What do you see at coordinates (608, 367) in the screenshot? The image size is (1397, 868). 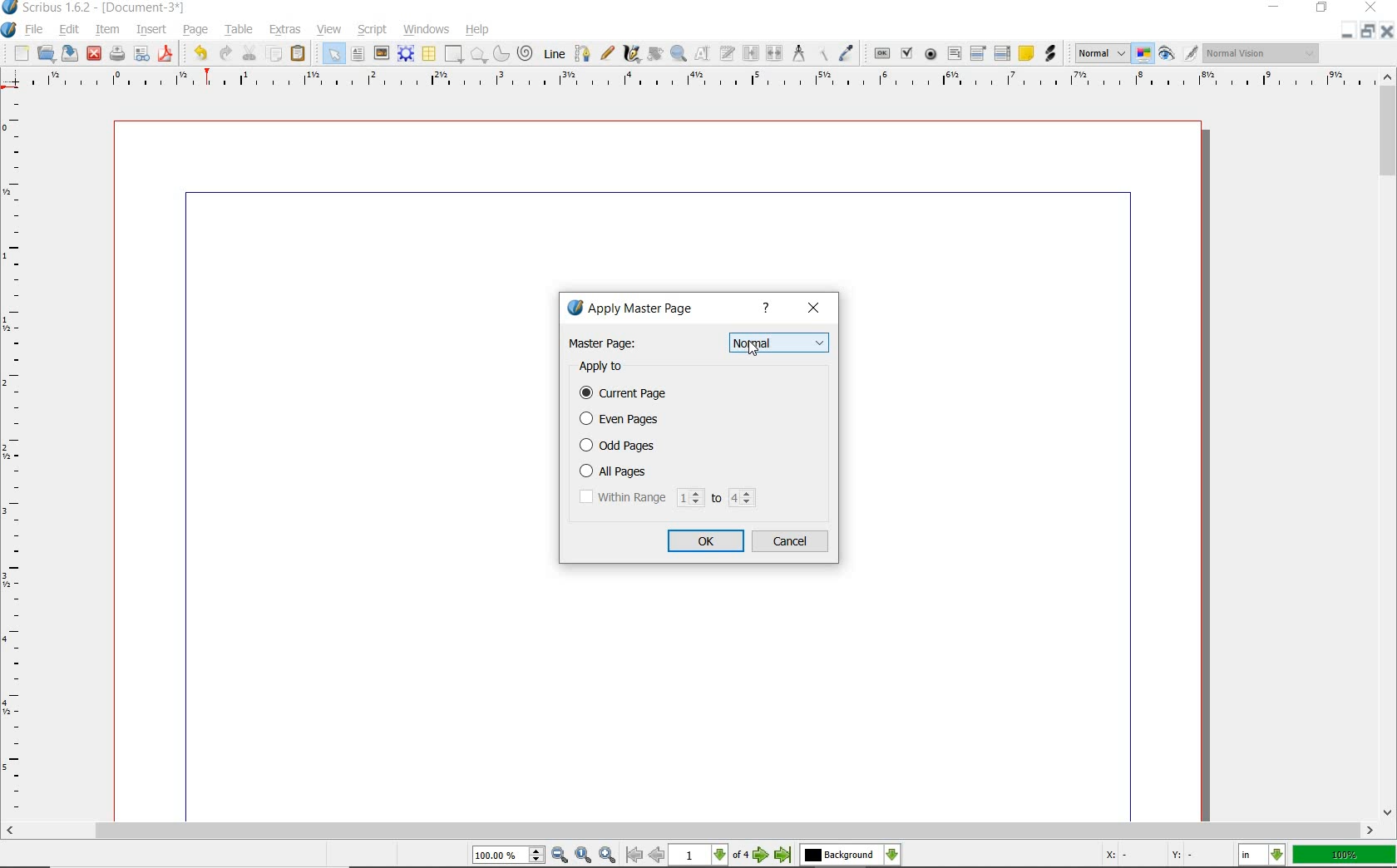 I see `apply to` at bounding box center [608, 367].